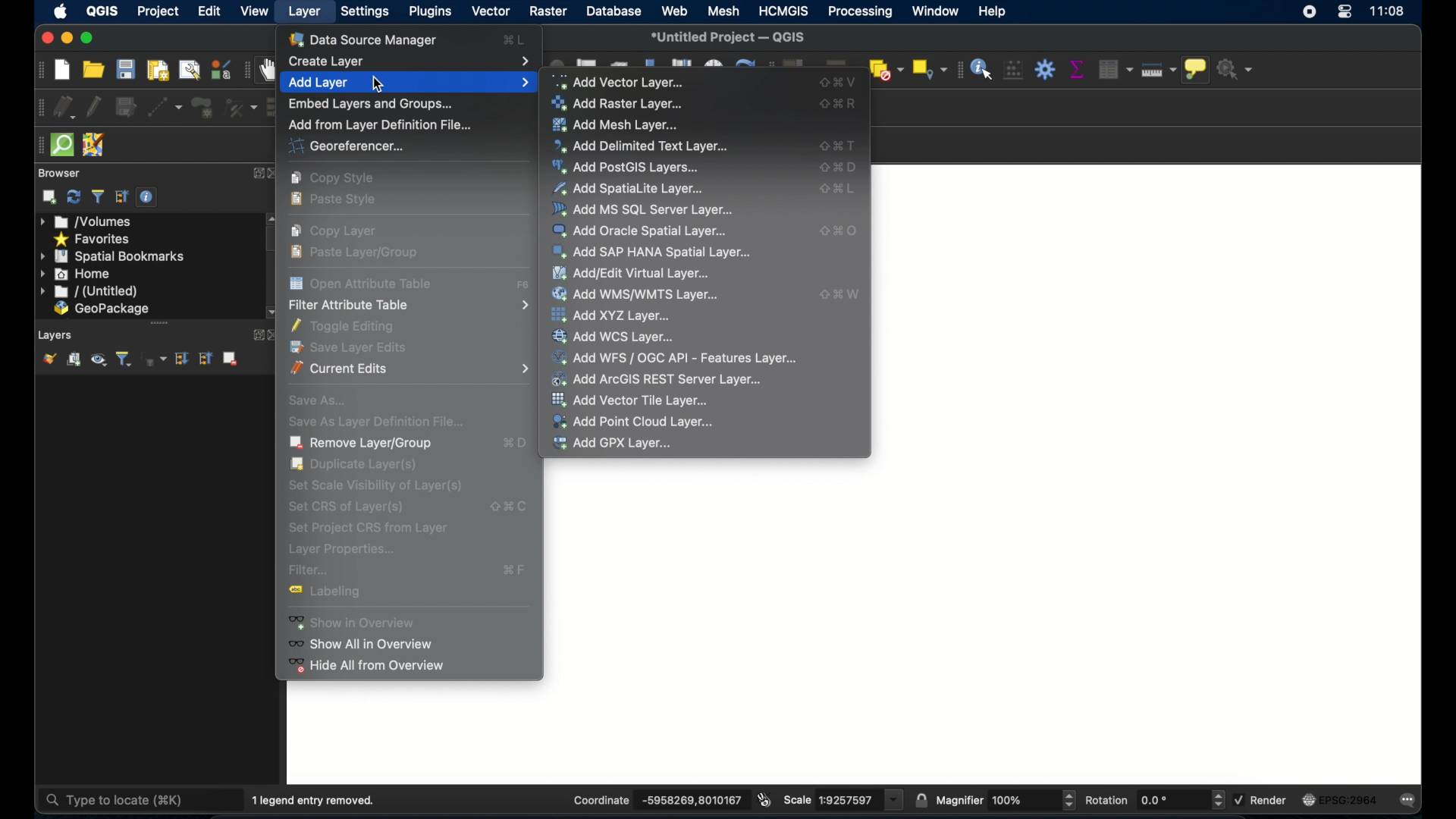 The image size is (1456, 819). I want to click on filter layer by expression, so click(154, 359).